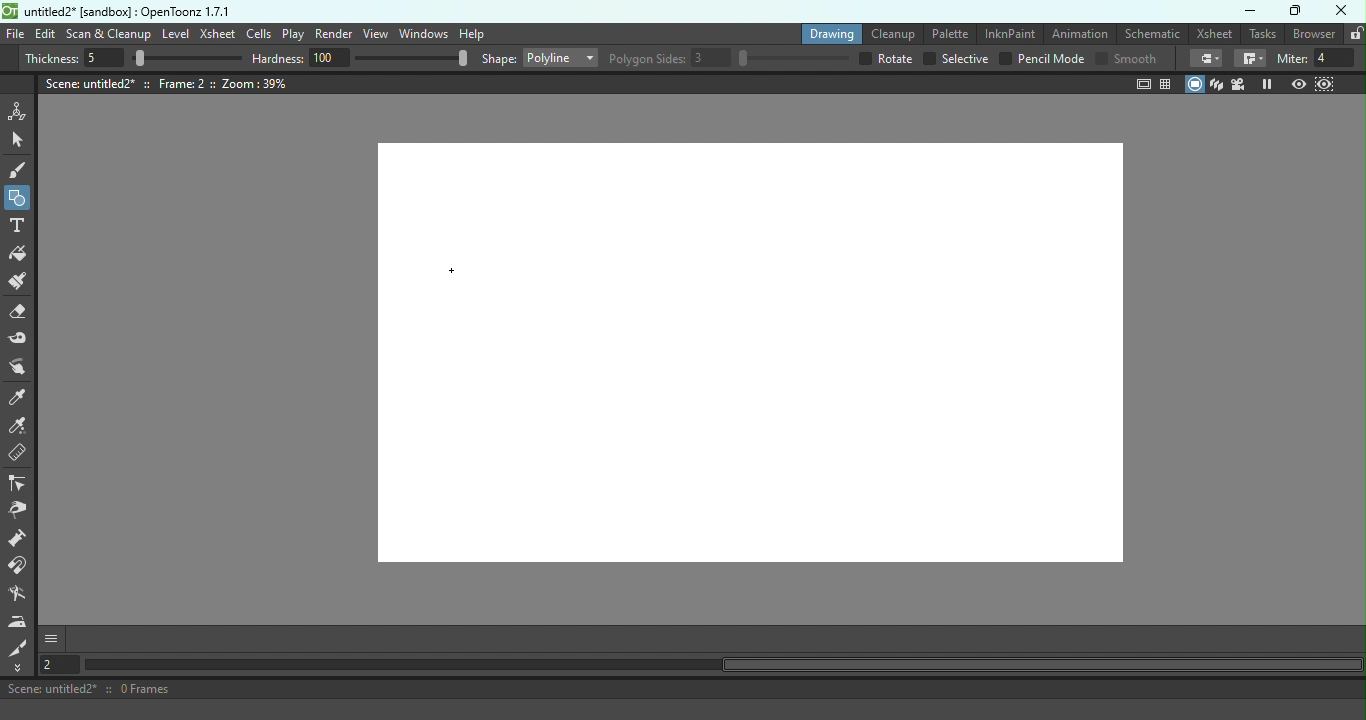  I want to click on Blender tool, so click(21, 596).